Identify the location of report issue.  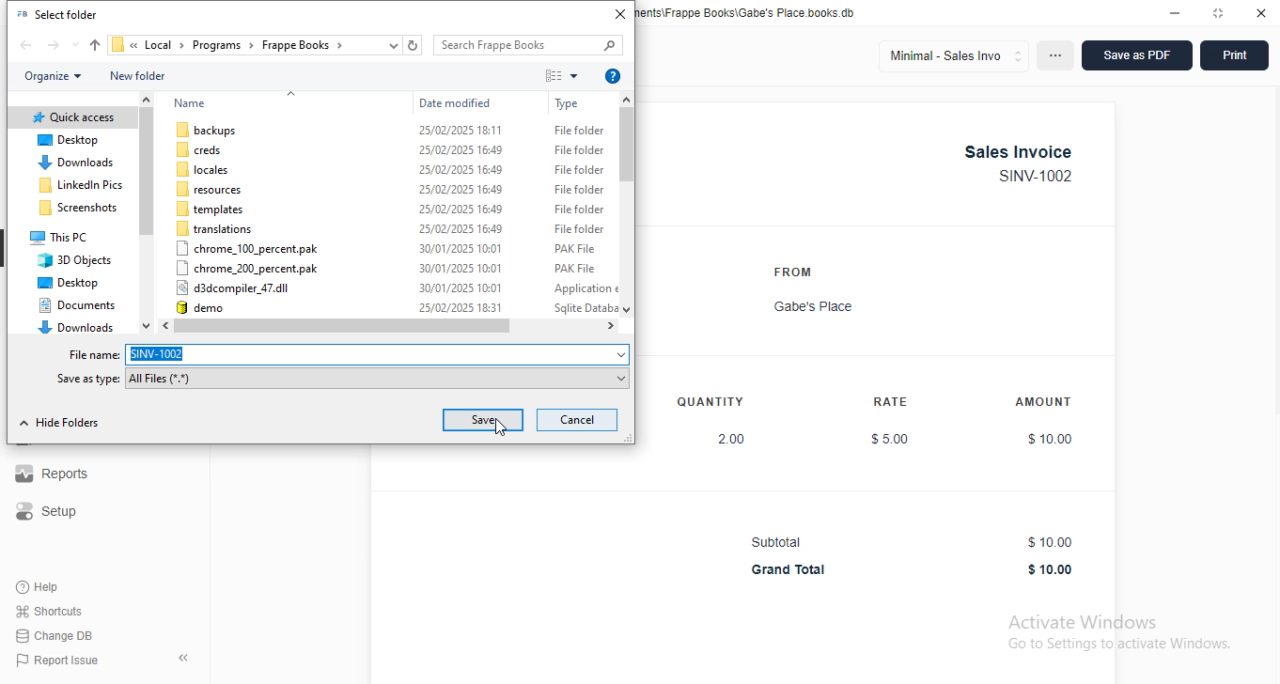
(57, 660).